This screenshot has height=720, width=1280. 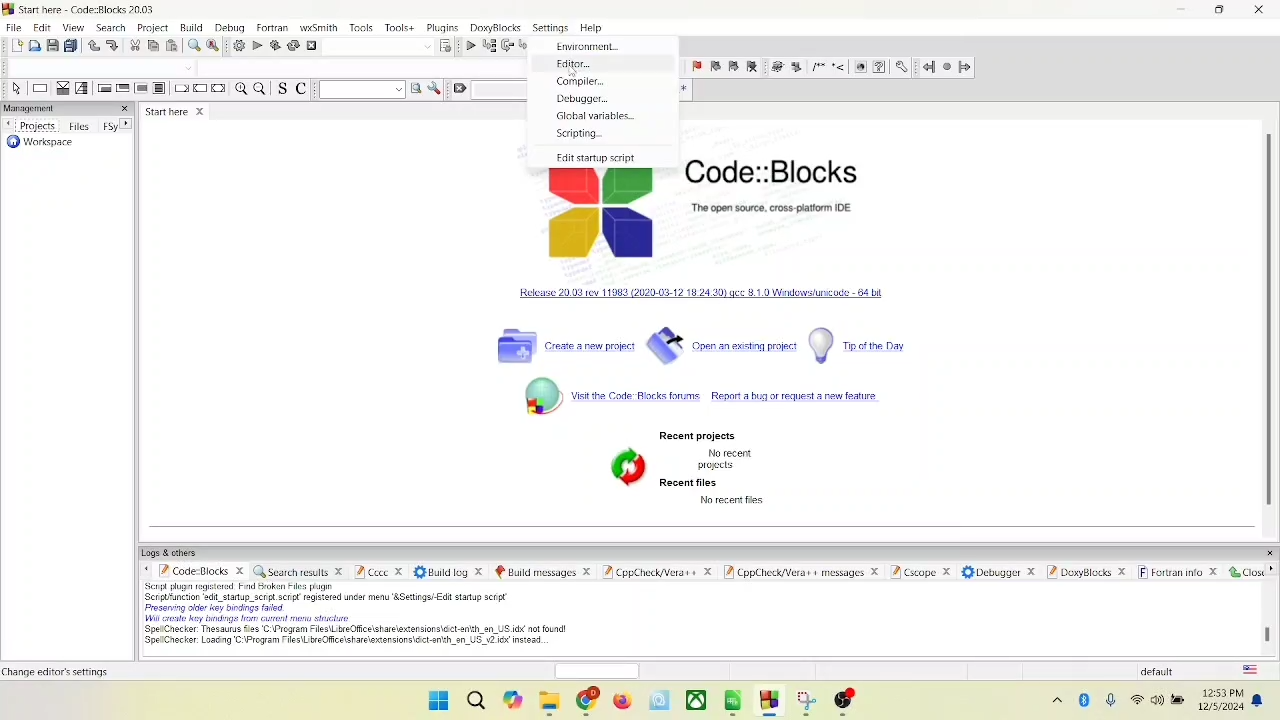 I want to click on copilot, so click(x=514, y=702).